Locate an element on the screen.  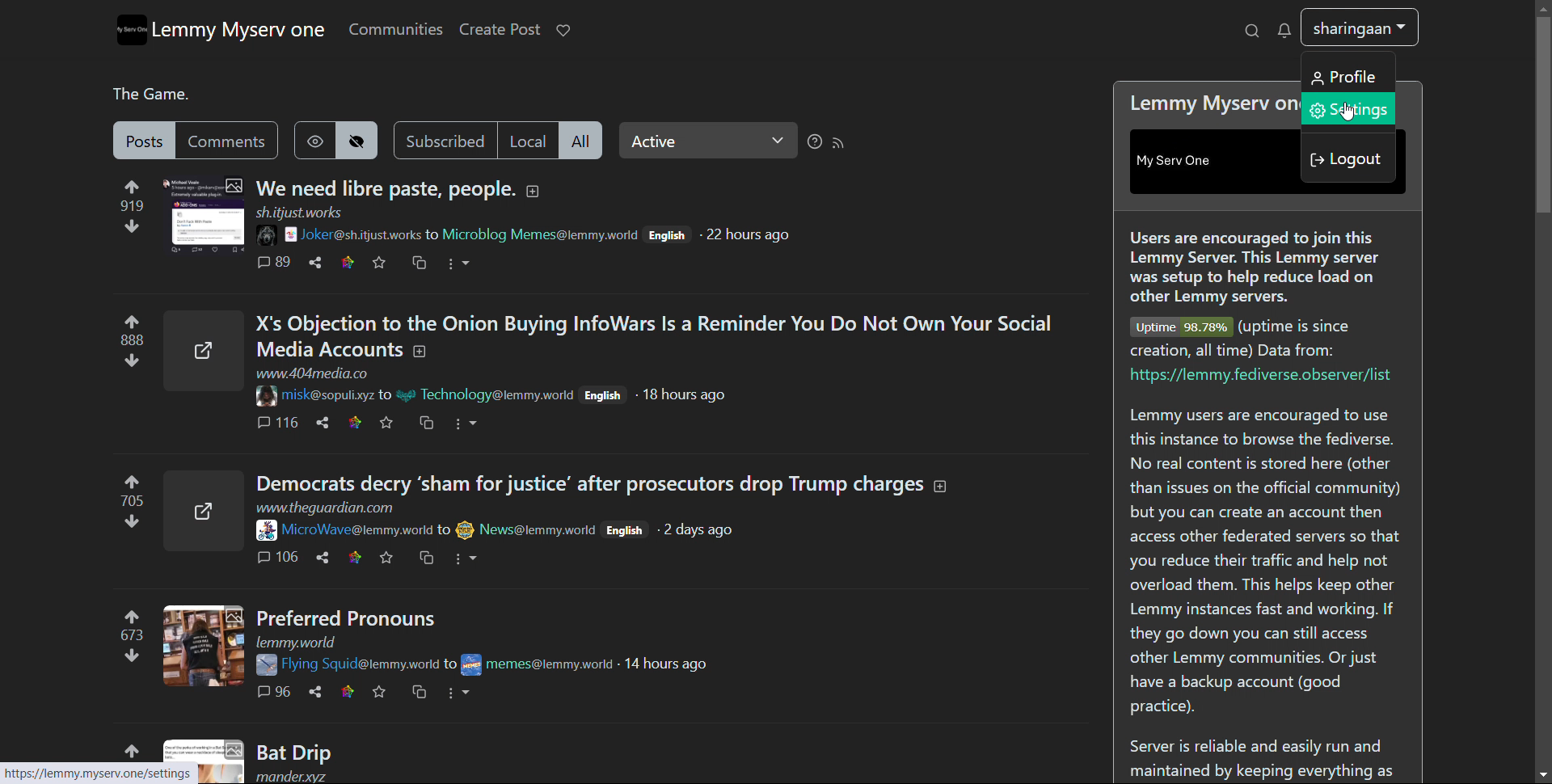
X's Objection to the Onion Buying InfoWars Is a Reminder You Do Not Own Your Social Media Accounts is located at coordinates (665, 335).